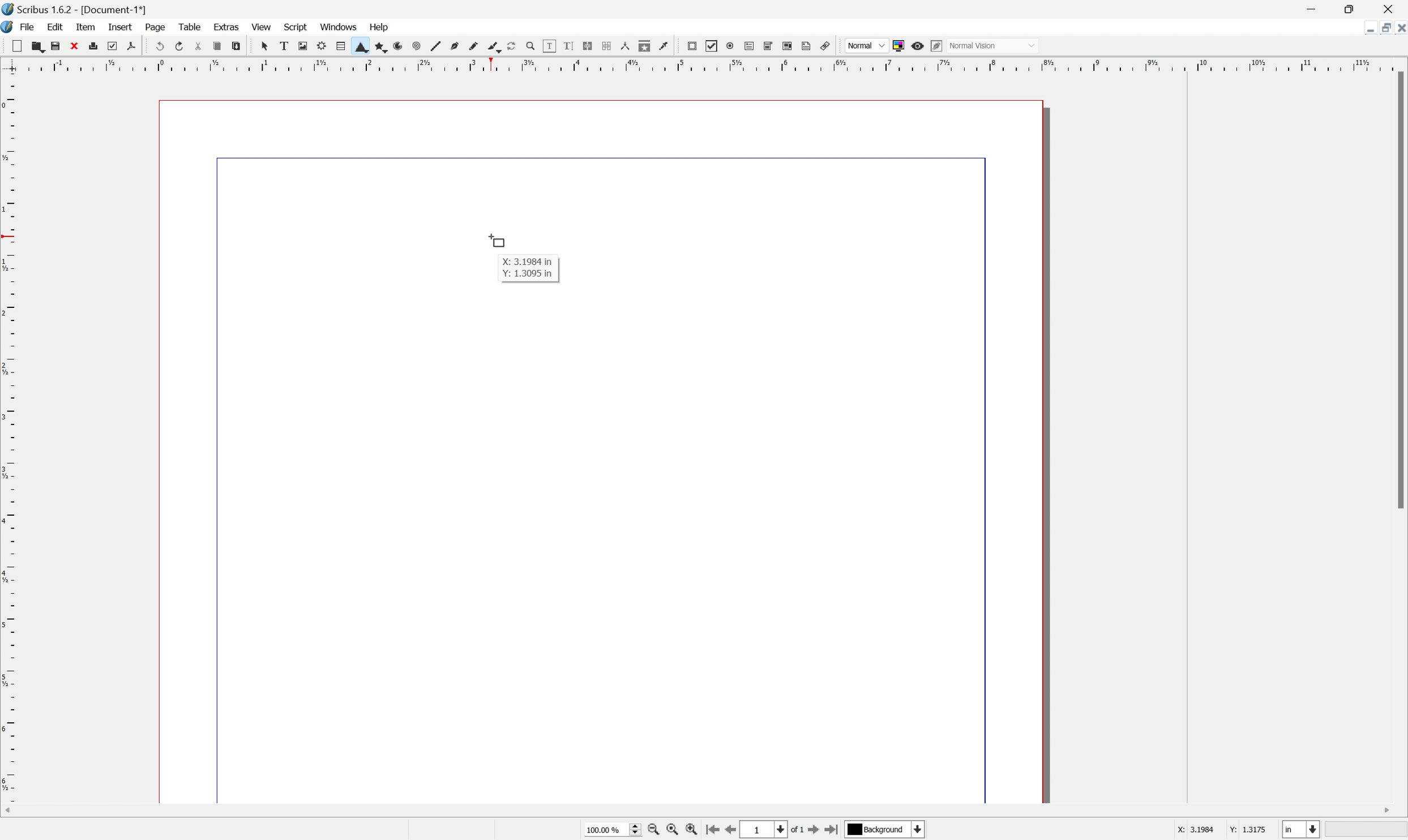 Image resolution: width=1408 pixels, height=840 pixels. What do you see at coordinates (1354, 8) in the screenshot?
I see `Restore Down` at bounding box center [1354, 8].